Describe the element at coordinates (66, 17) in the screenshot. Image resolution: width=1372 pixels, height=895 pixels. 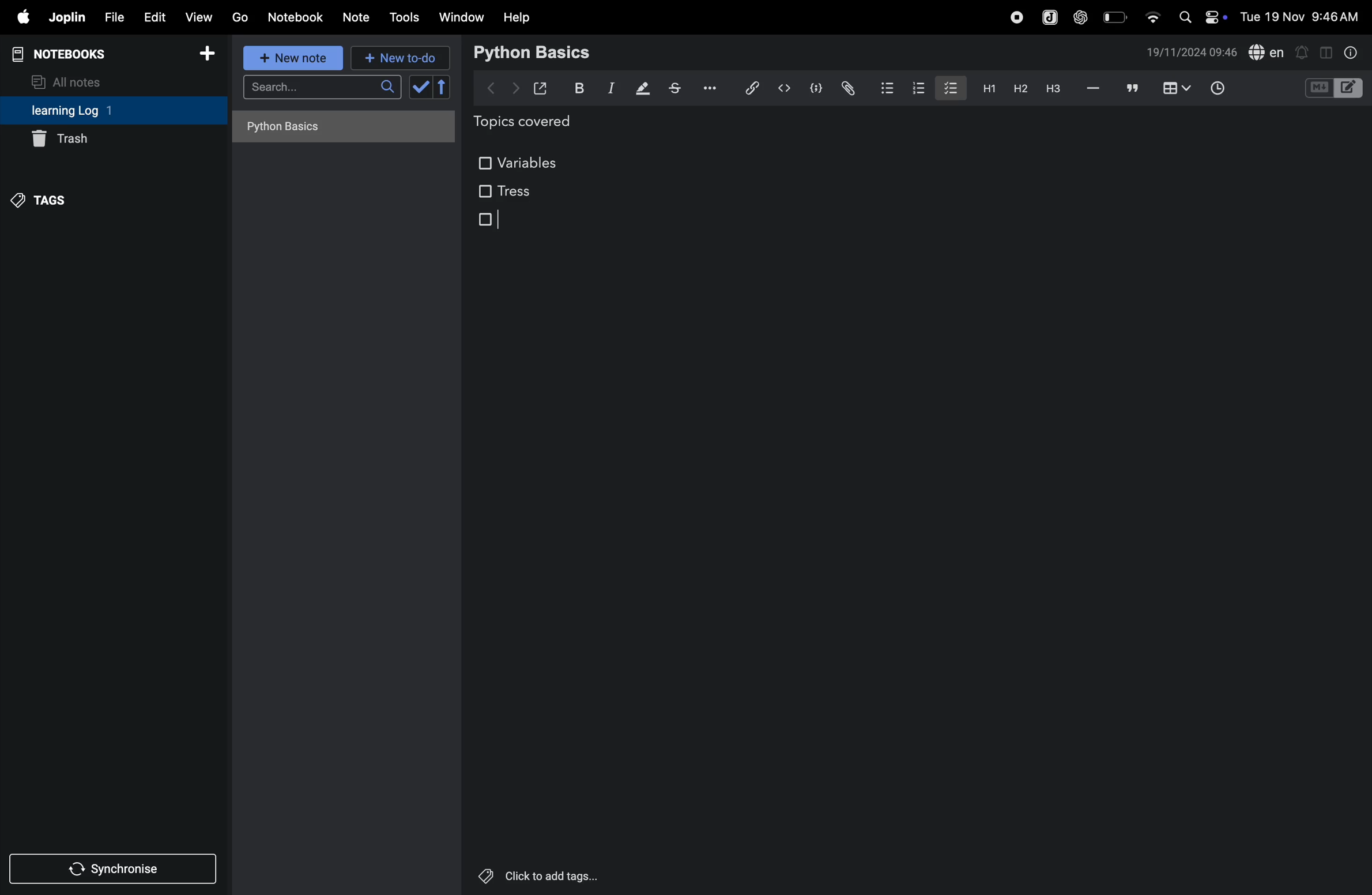
I see `joplin` at that location.